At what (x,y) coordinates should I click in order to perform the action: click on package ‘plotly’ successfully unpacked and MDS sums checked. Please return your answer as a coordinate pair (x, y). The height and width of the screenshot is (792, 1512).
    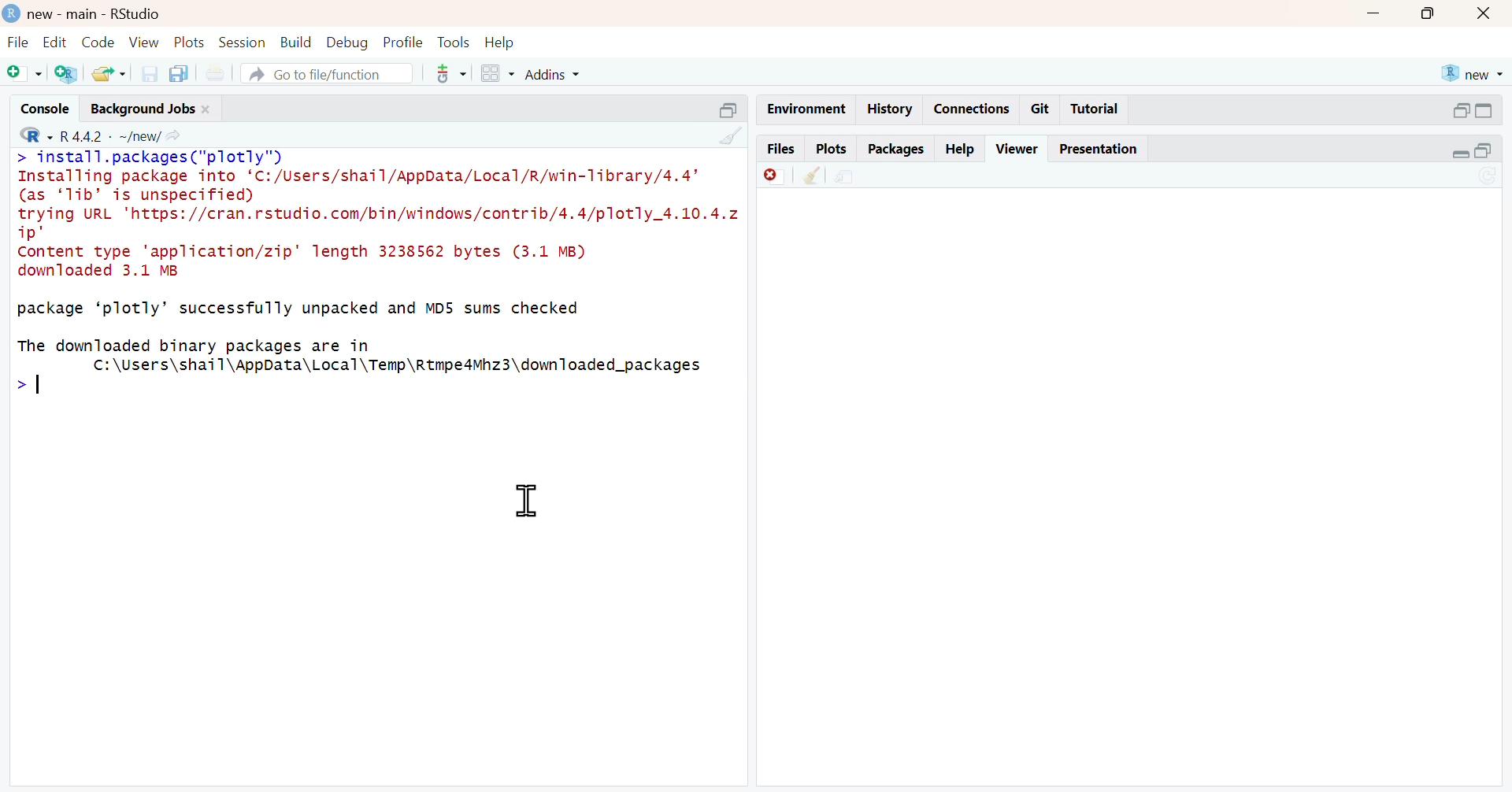
    Looking at the image, I should click on (297, 310).